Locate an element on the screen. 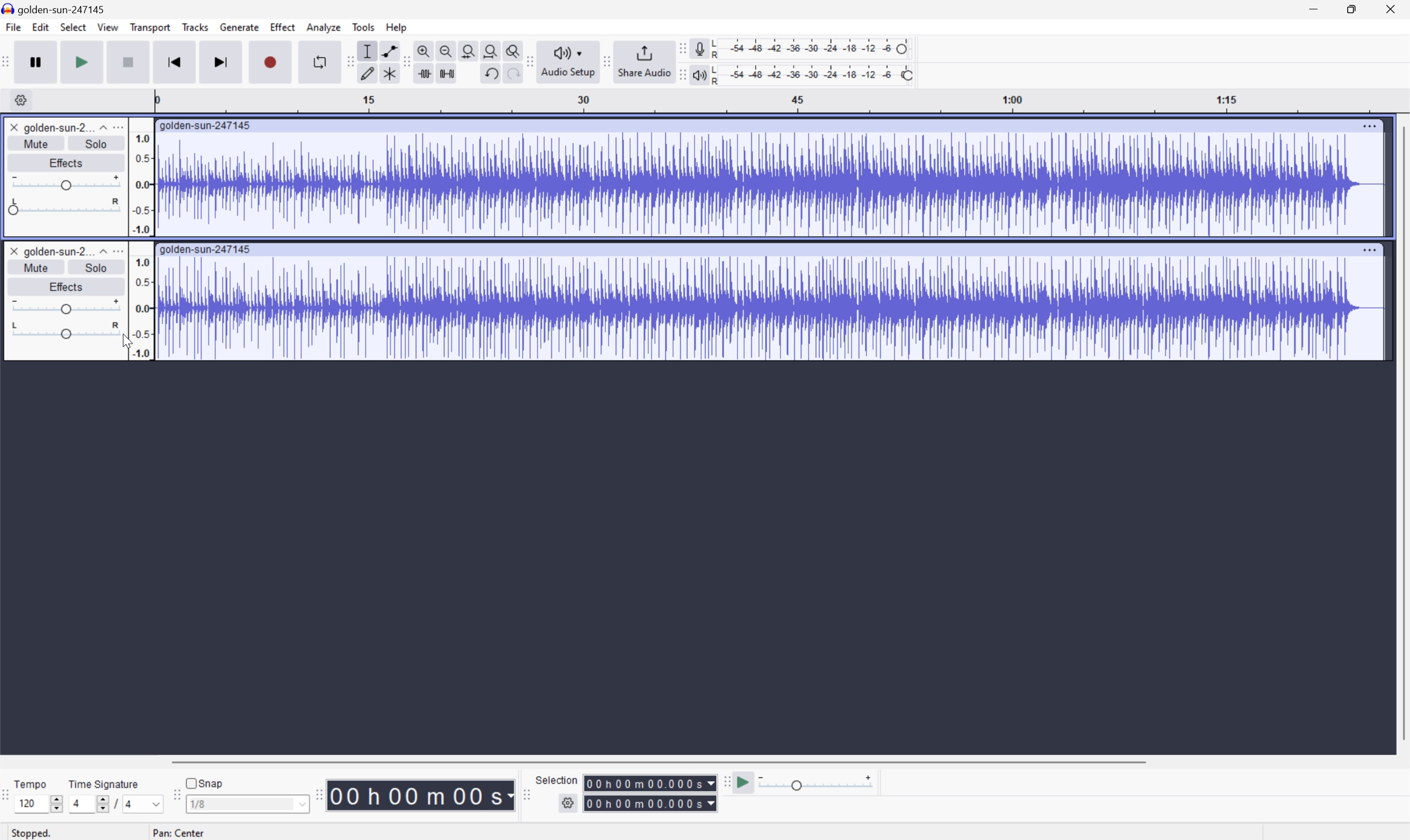 This screenshot has height=840, width=1410. Close is located at coordinates (1396, 8).